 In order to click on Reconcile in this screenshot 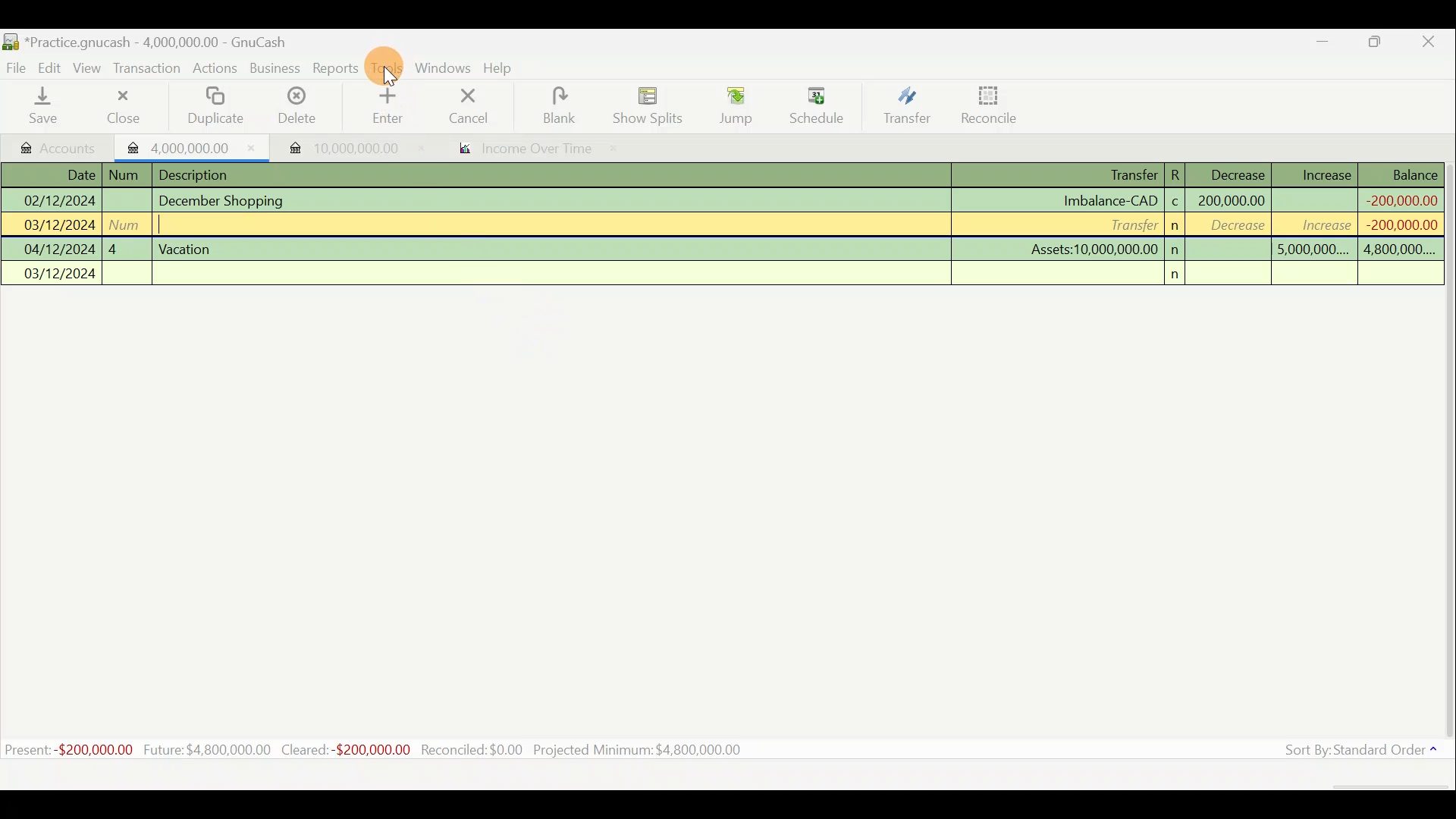, I will do `click(984, 105)`.